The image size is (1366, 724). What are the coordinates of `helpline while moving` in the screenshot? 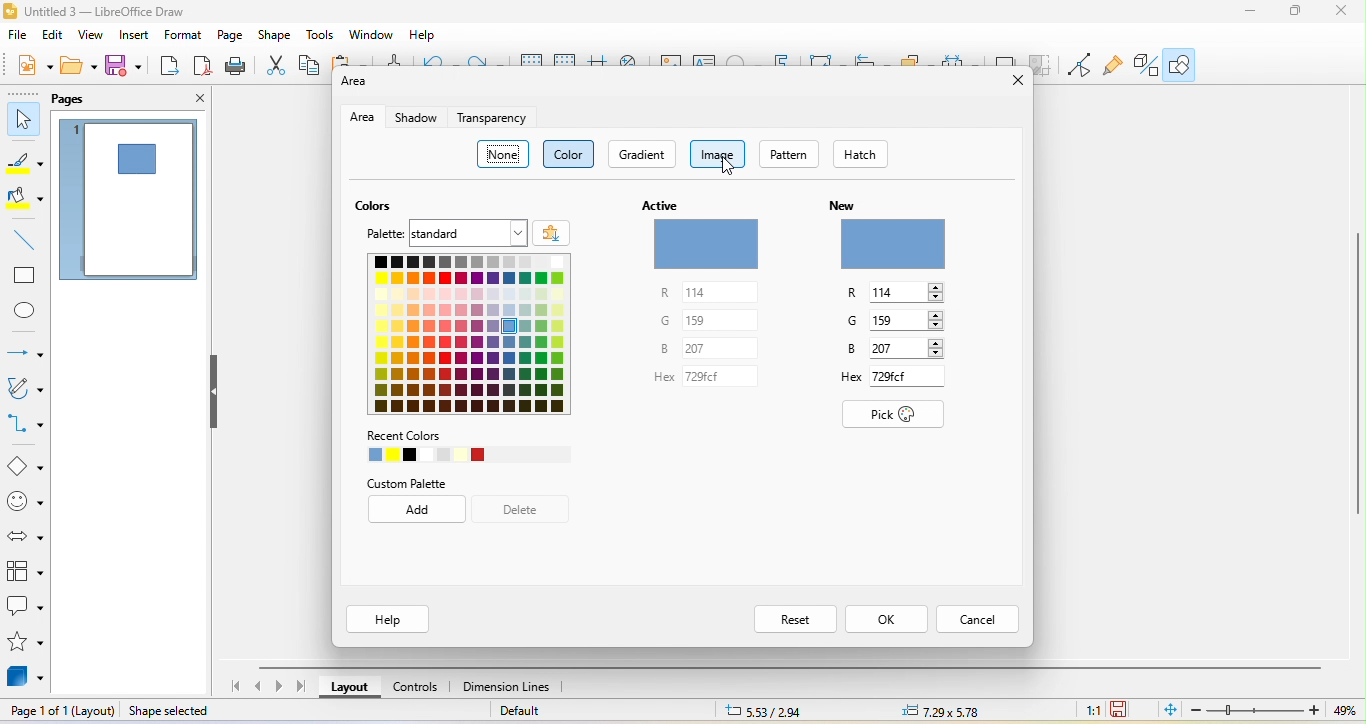 It's located at (598, 62).